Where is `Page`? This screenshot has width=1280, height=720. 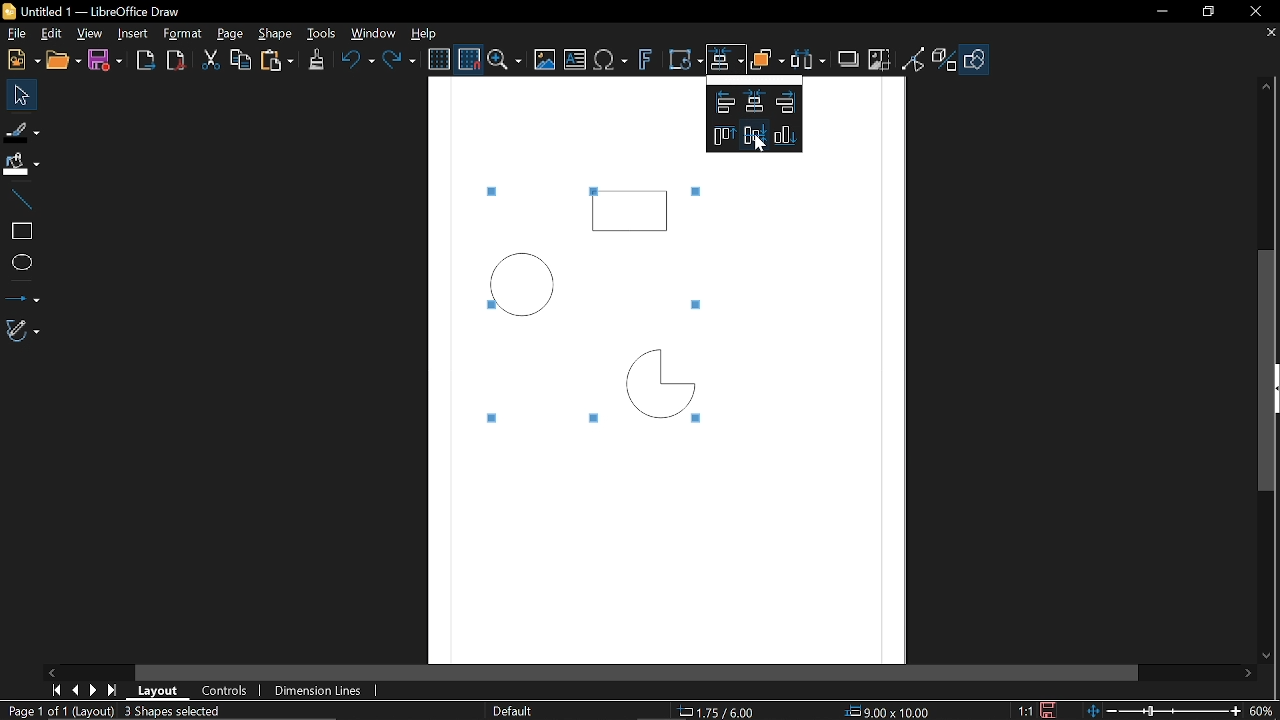 Page is located at coordinates (226, 35).